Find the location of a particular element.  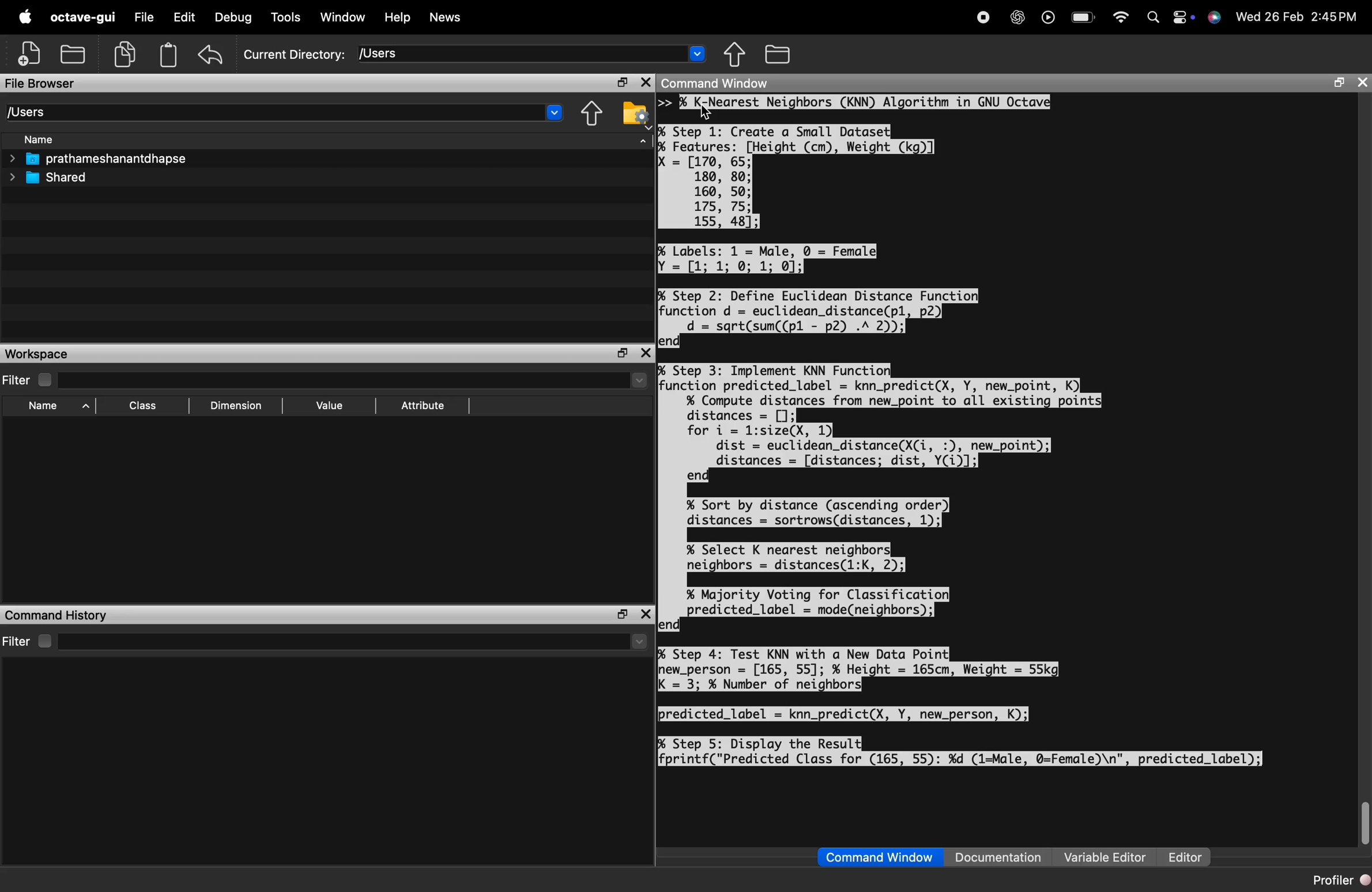

Editor is located at coordinates (1182, 852).